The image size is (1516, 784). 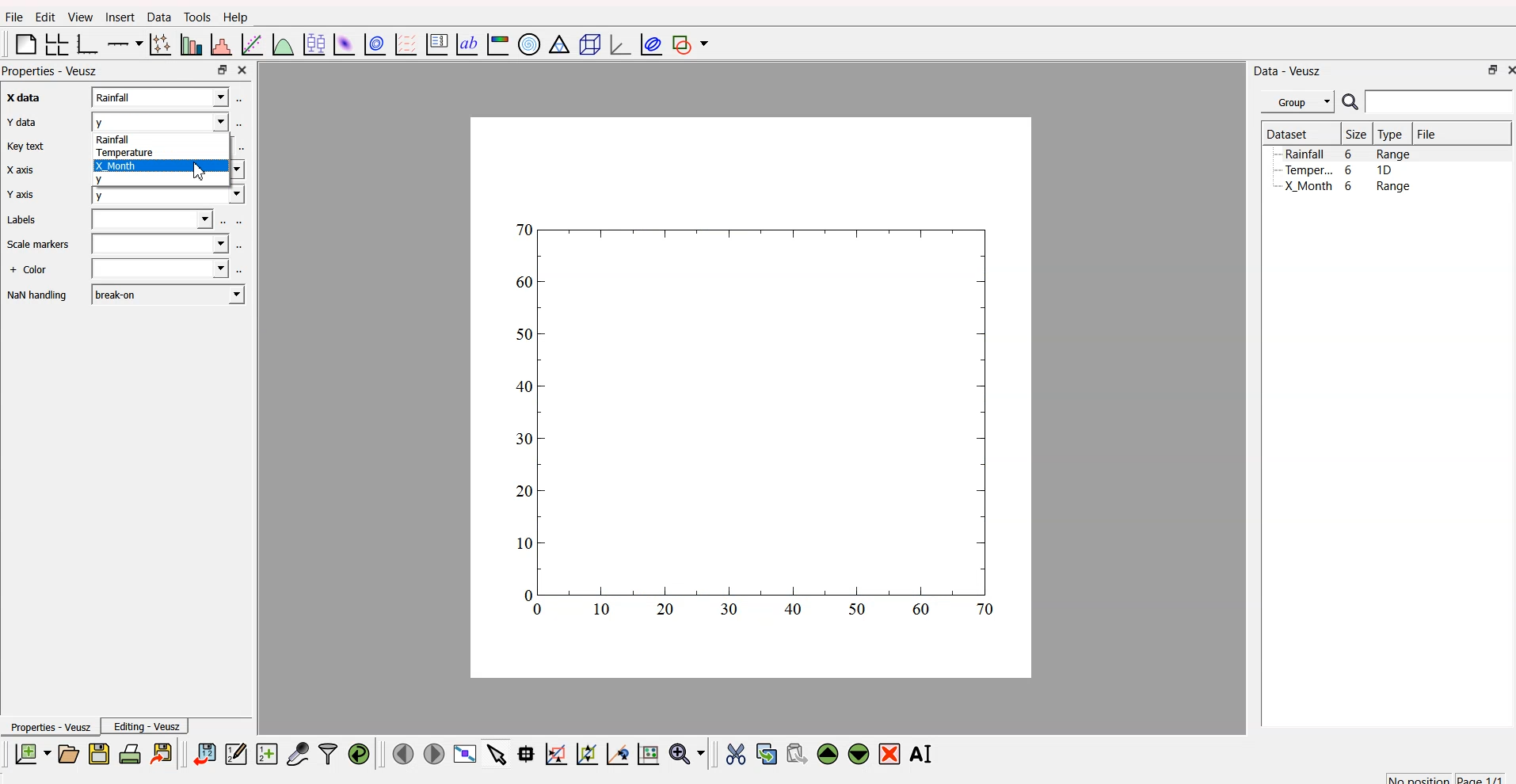 What do you see at coordinates (266, 753) in the screenshot?
I see `create a new dataset` at bounding box center [266, 753].